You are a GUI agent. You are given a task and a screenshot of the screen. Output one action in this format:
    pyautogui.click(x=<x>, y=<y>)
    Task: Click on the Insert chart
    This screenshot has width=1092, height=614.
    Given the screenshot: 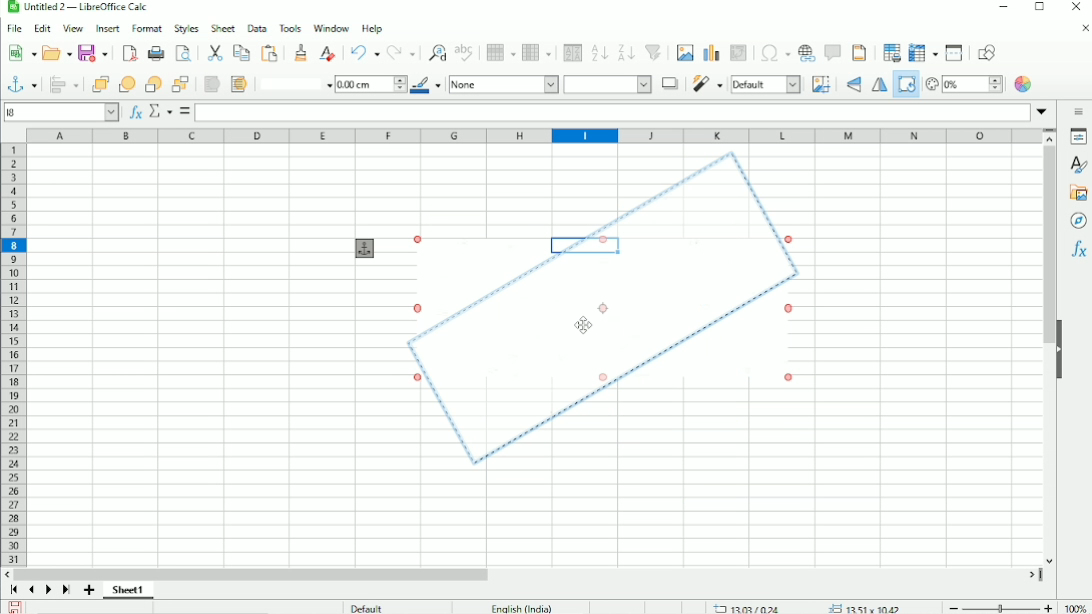 What is the action you would take?
    pyautogui.click(x=711, y=53)
    